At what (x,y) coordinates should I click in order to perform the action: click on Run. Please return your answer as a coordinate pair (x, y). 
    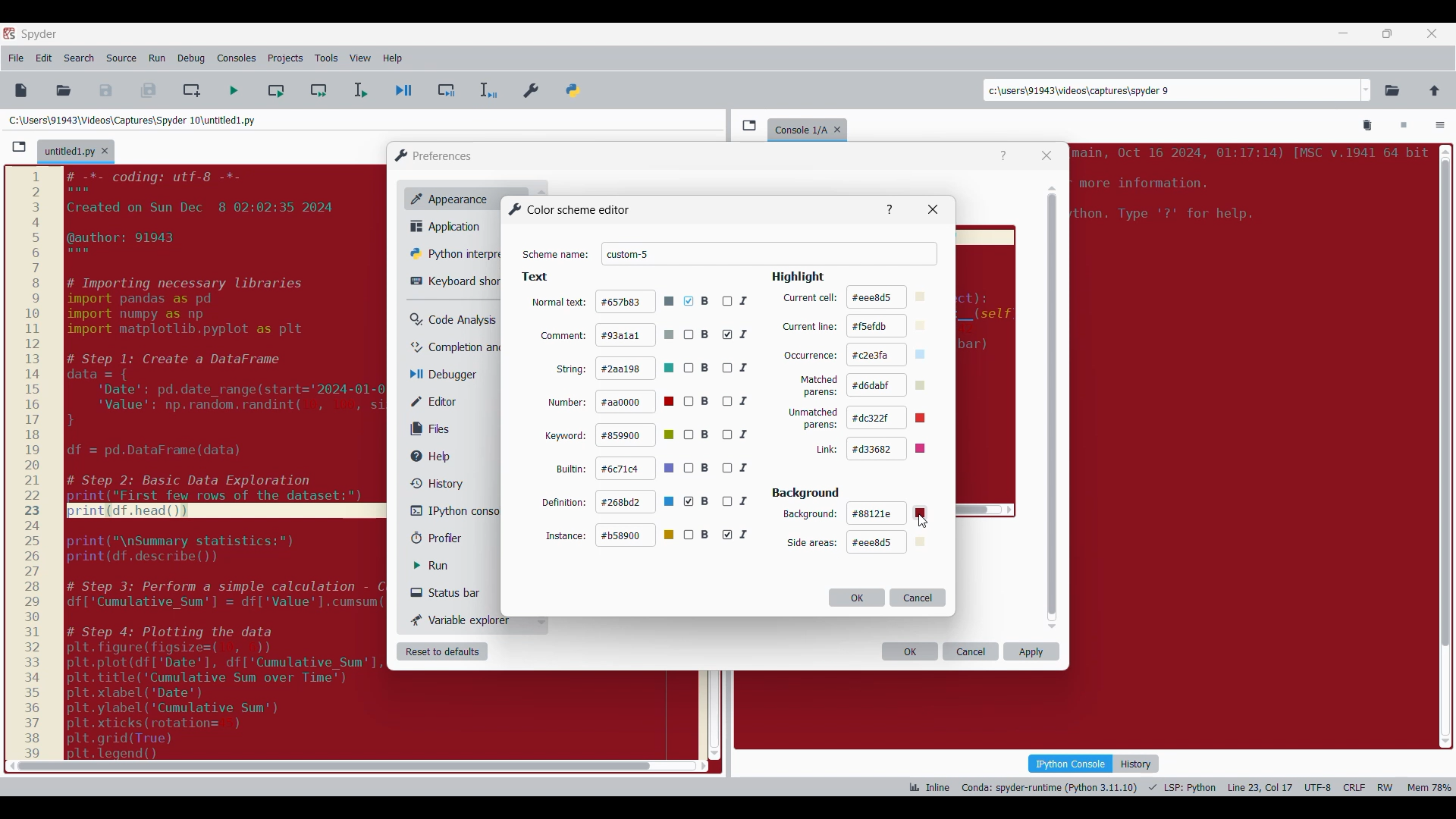
    Looking at the image, I should click on (442, 566).